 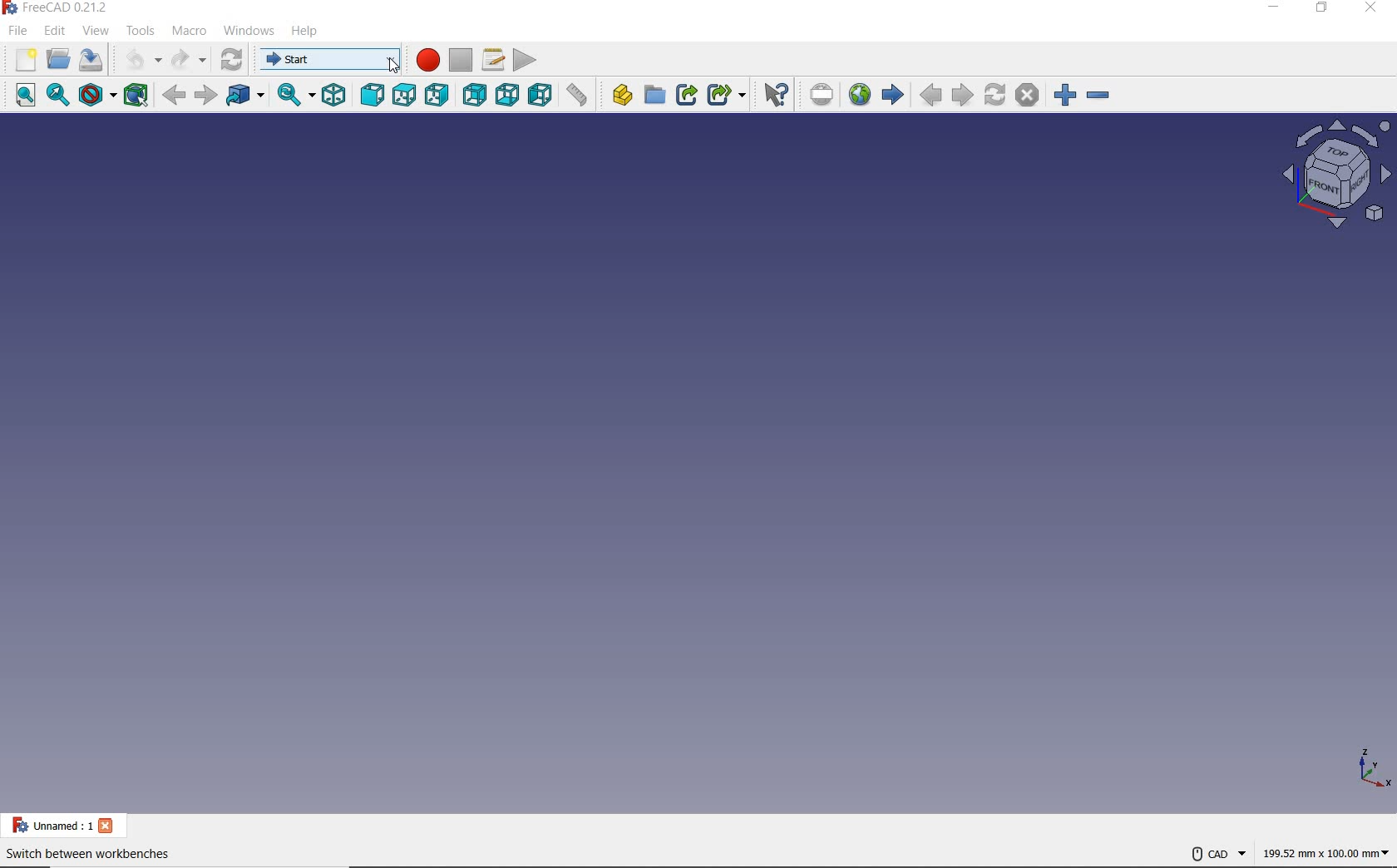 I want to click on START PAGE, so click(x=892, y=96).